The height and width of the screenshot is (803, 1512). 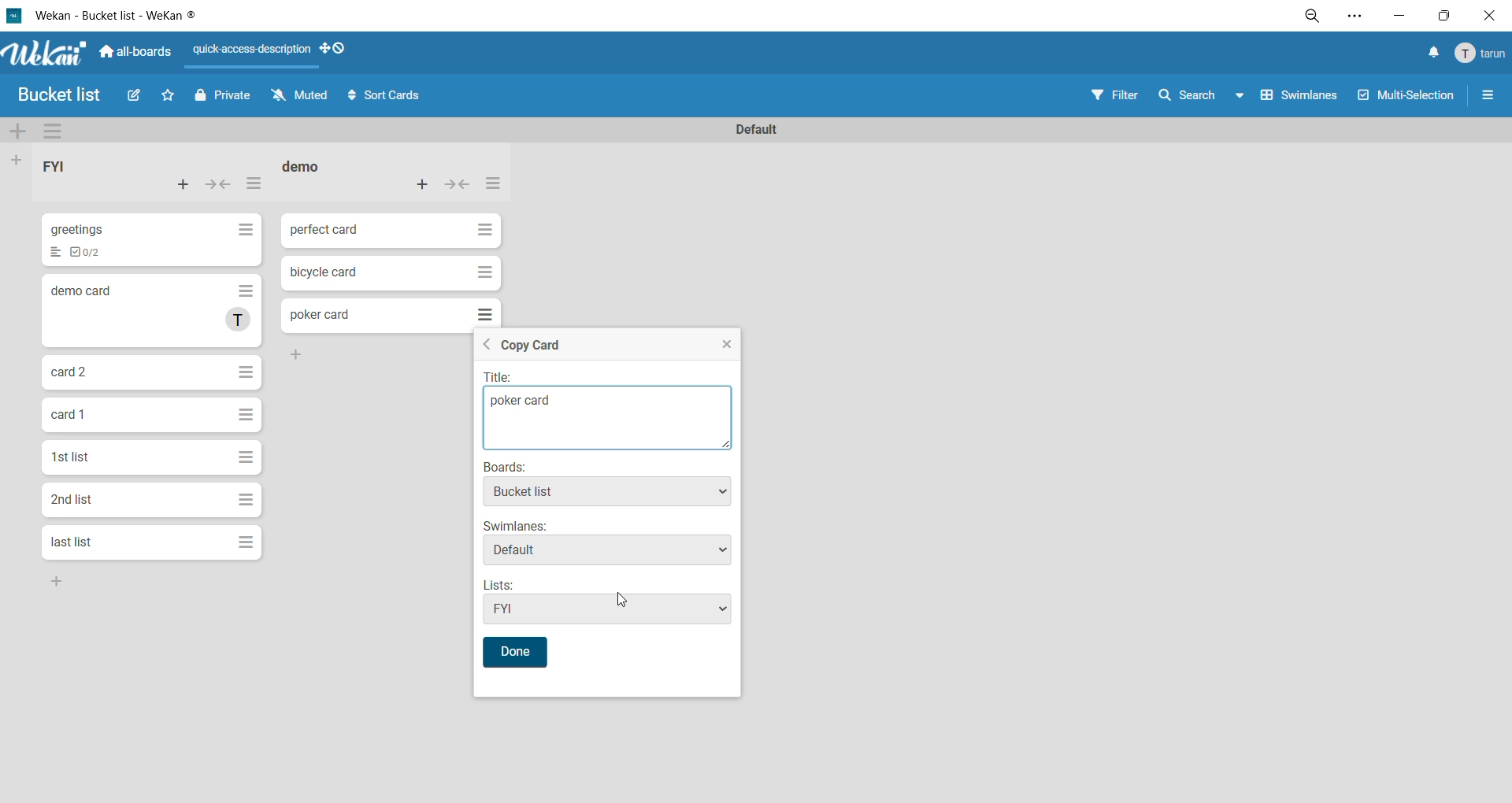 What do you see at coordinates (73, 457) in the screenshot?
I see `1st list` at bounding box center [73, 457].